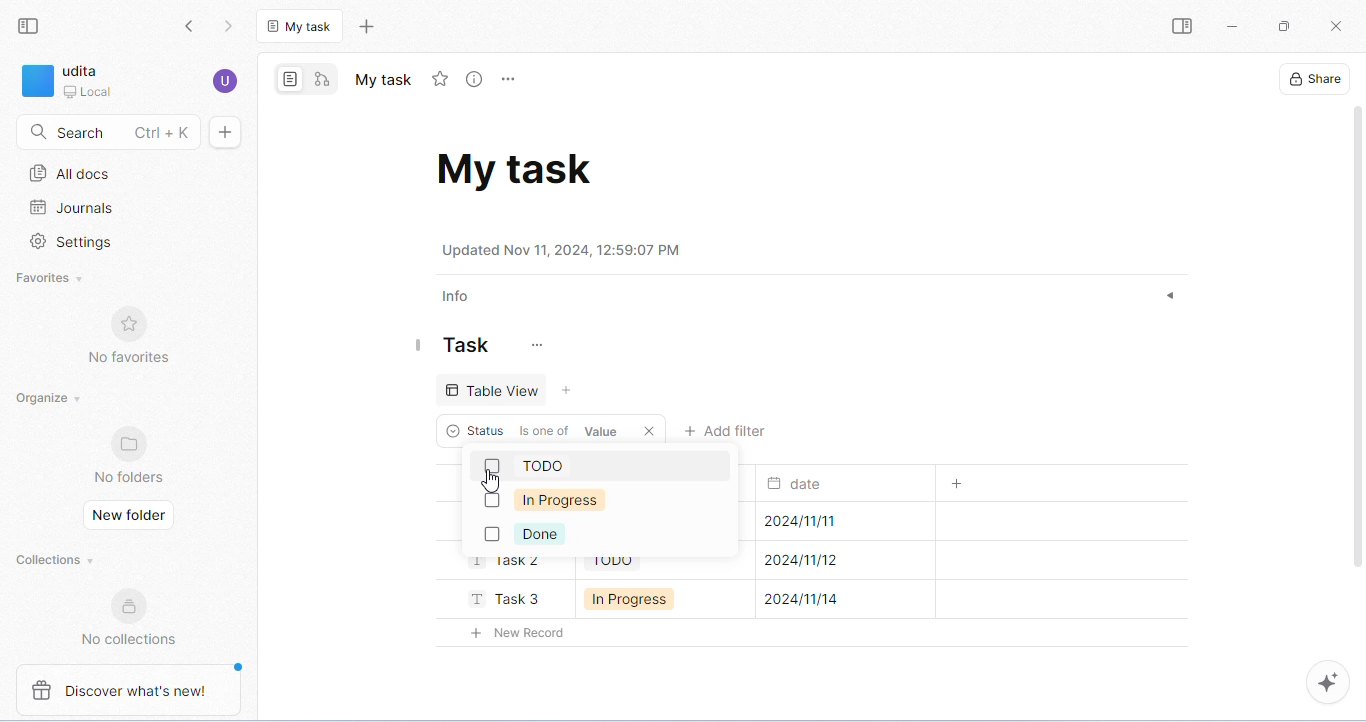  Describe the element at coordinates (803, 559) in the screenshot. I see `submission date for task2` at that location.